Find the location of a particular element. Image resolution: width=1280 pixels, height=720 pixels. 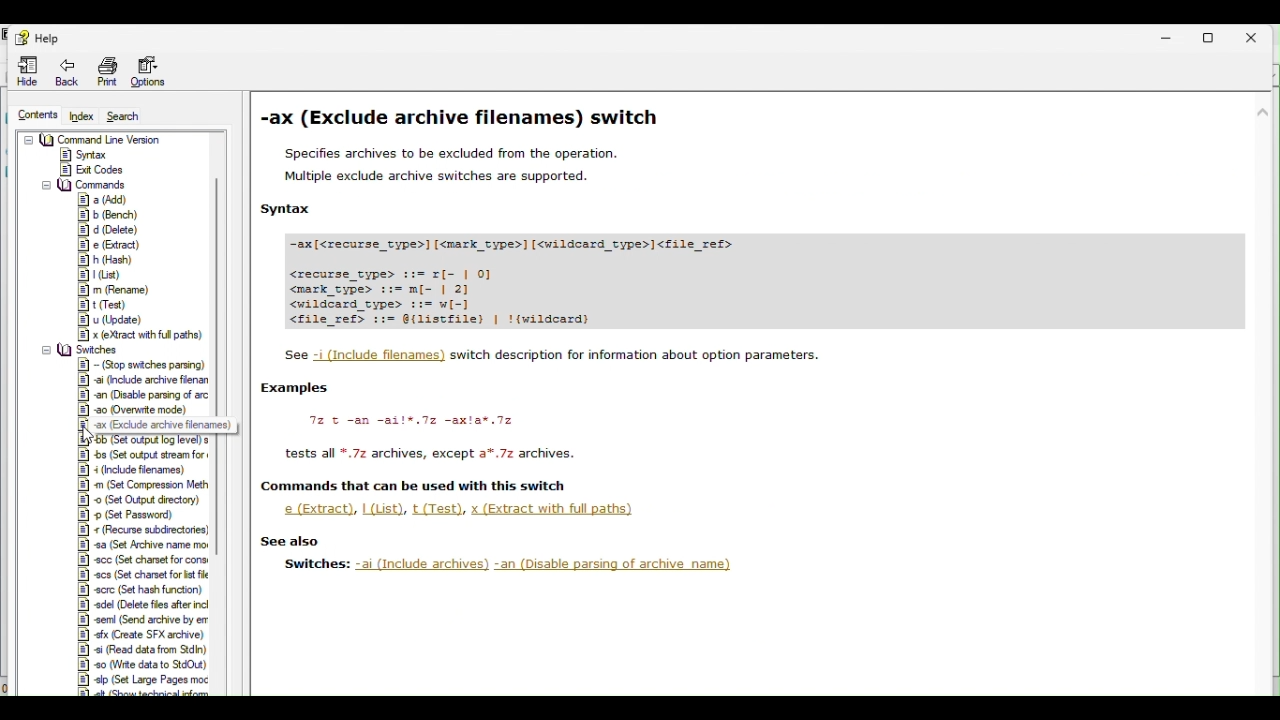

E] h (Hash) is located at coordinates (107, 260).